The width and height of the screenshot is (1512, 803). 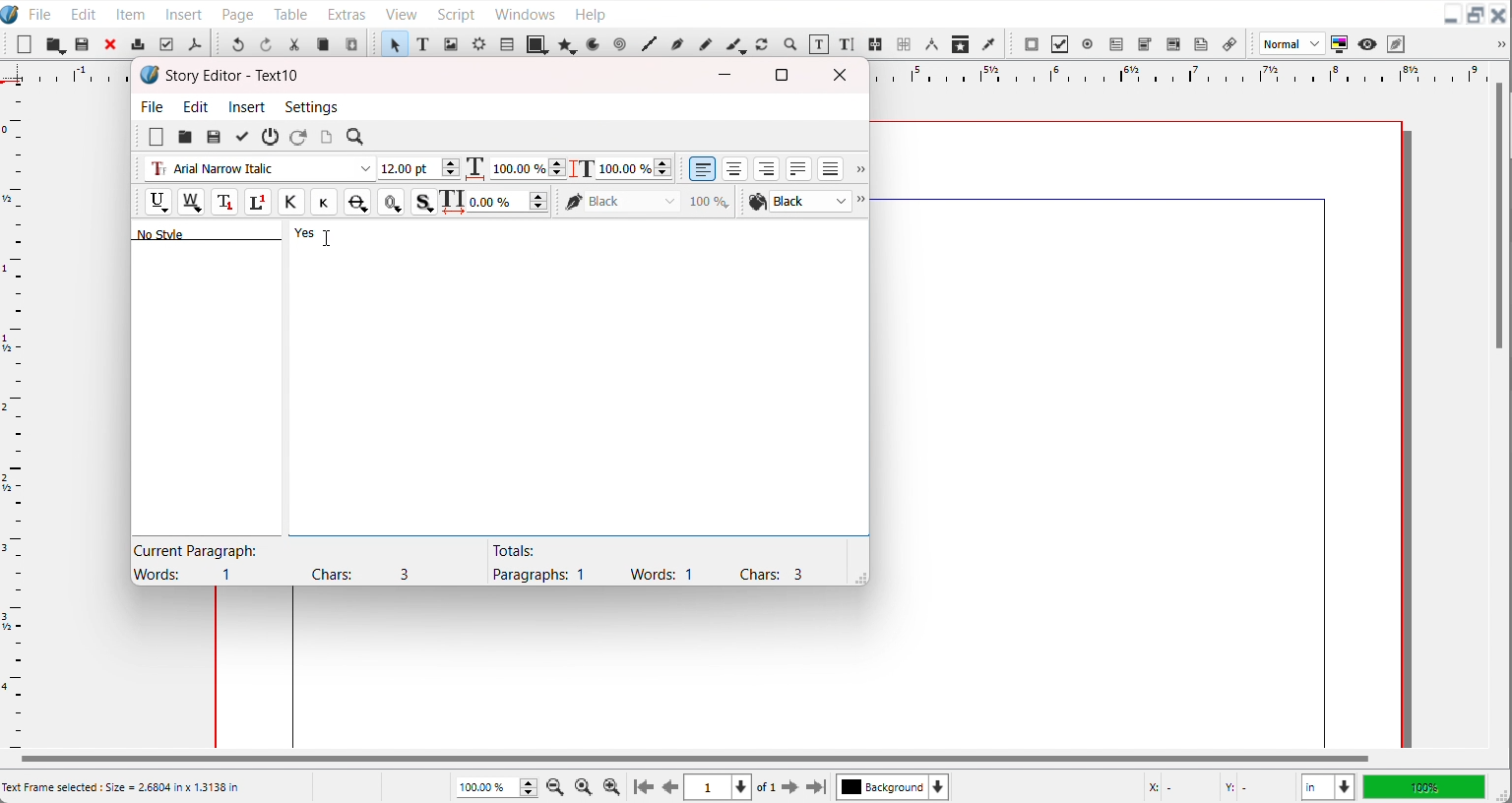 What do you see at coordinates (1087, 44) in the screenshot?
I see `PDF radio button` at bounding box center [1087, 44].